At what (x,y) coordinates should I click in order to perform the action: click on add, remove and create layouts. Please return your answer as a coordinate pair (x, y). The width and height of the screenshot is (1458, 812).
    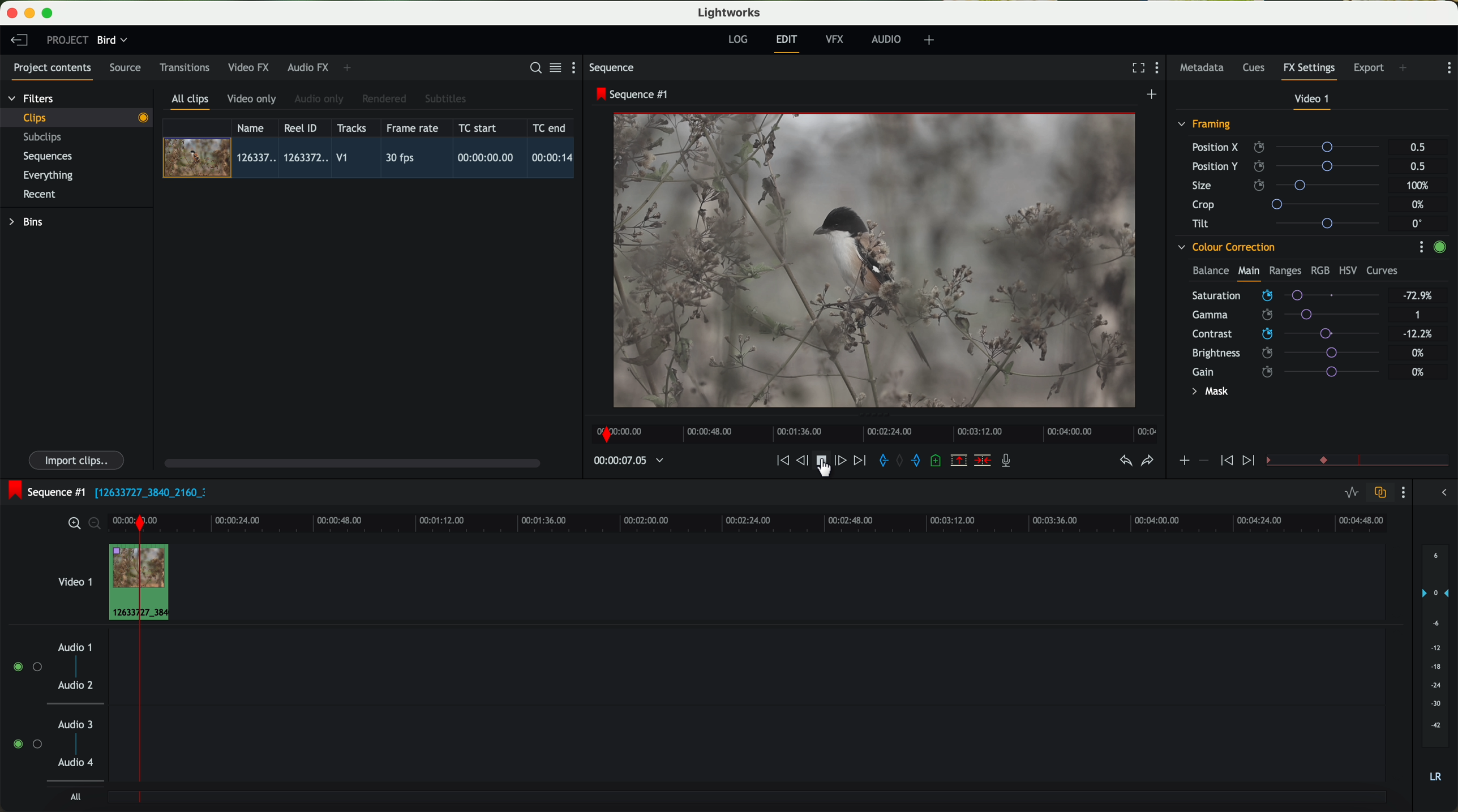
    Looking at the image, I should click on (931, 40).